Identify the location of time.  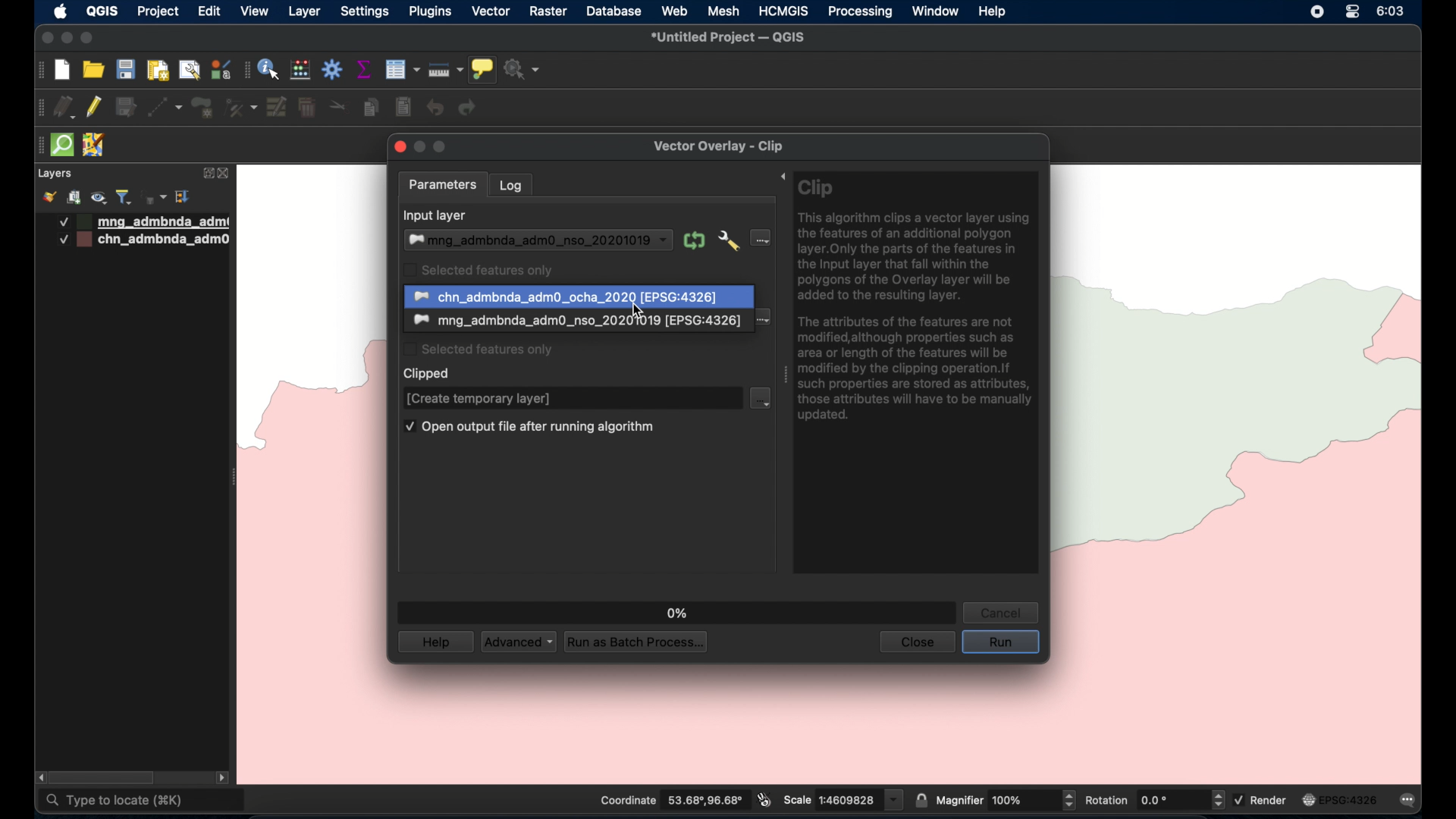
(1392, 11).